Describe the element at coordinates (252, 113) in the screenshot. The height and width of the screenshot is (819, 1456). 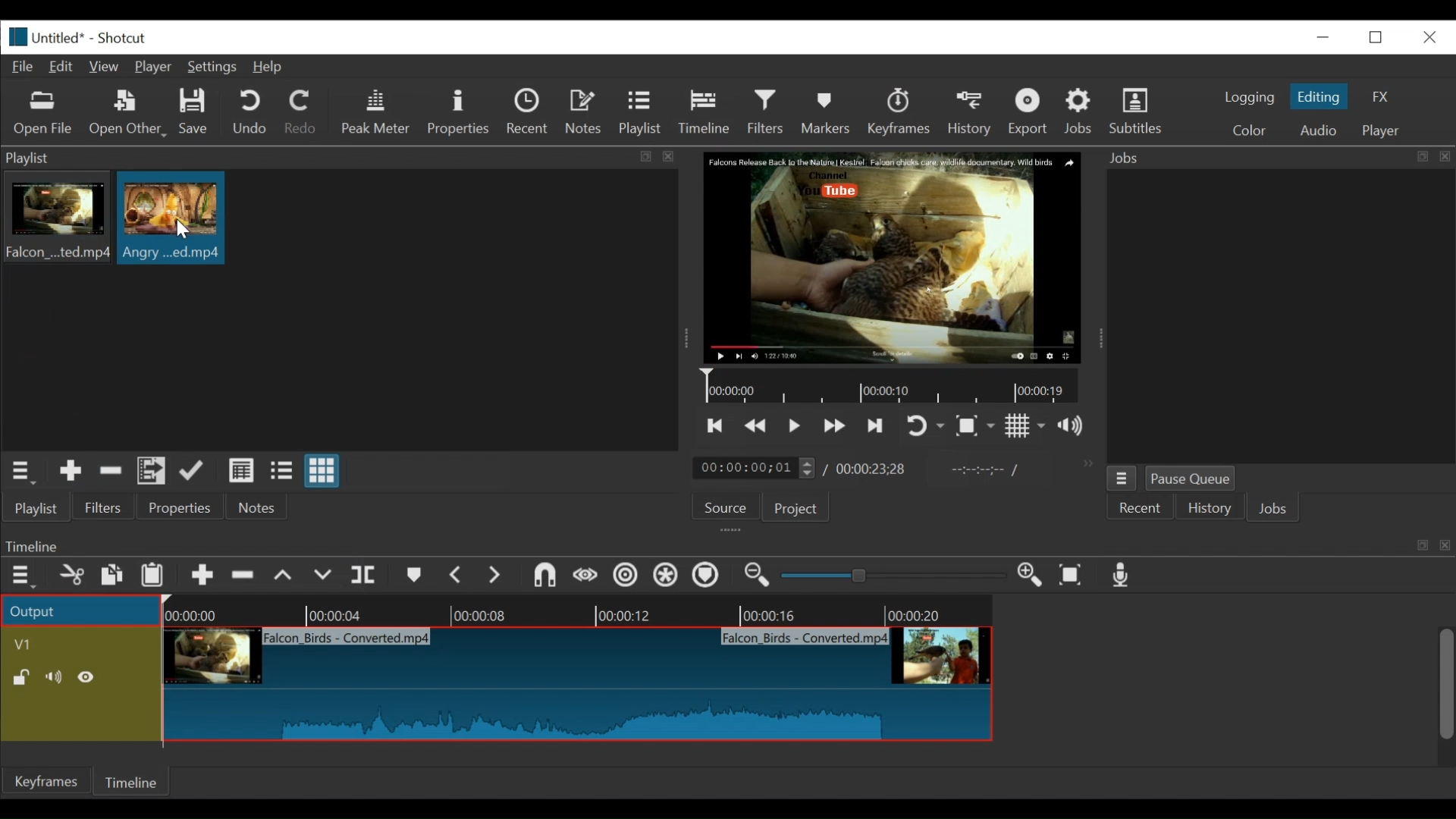
I see `Undo` at that location.